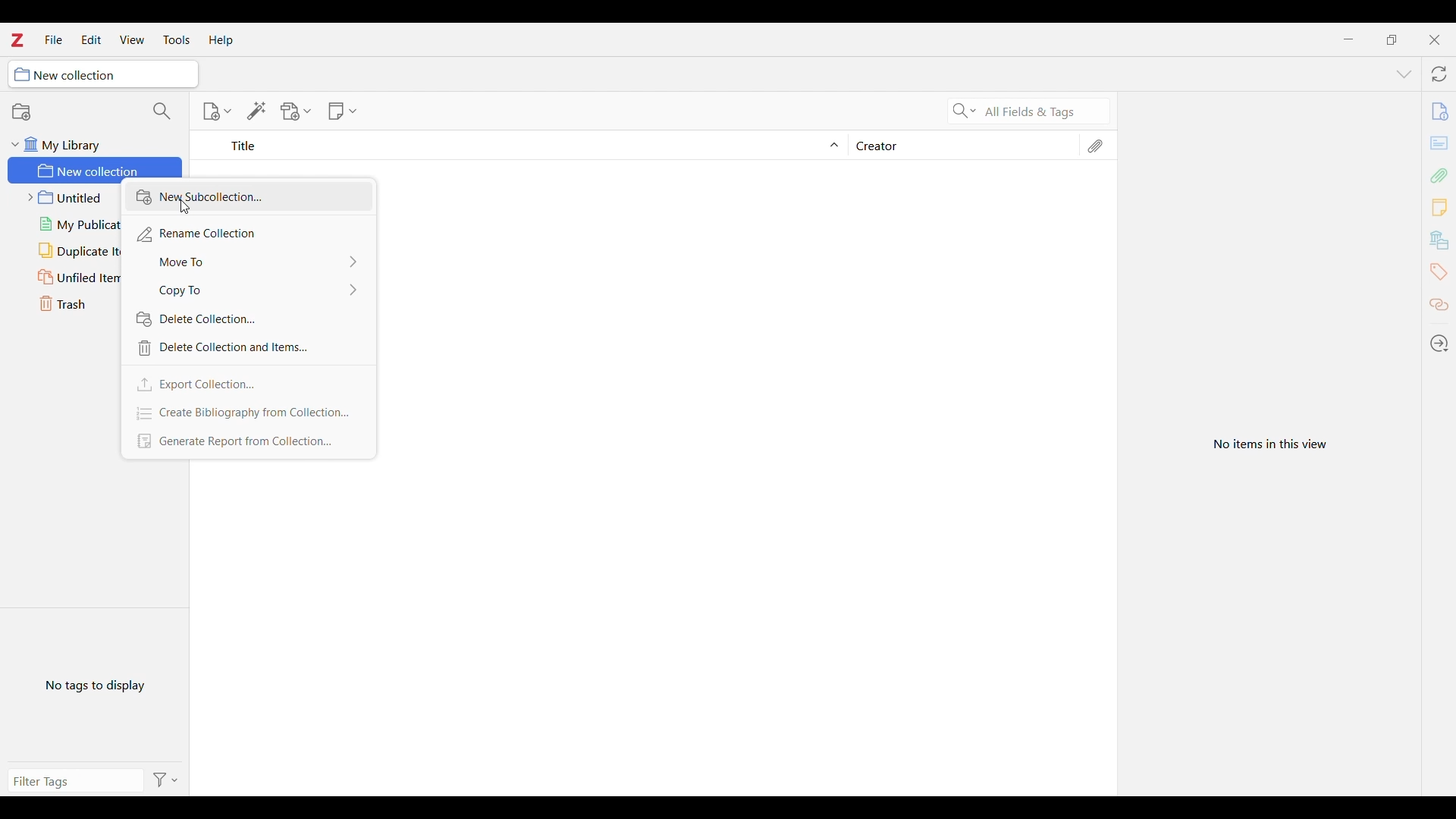 The height and width of the screenshot is (819, 1456). I want to click on List all tabs, so click(1404, 75).